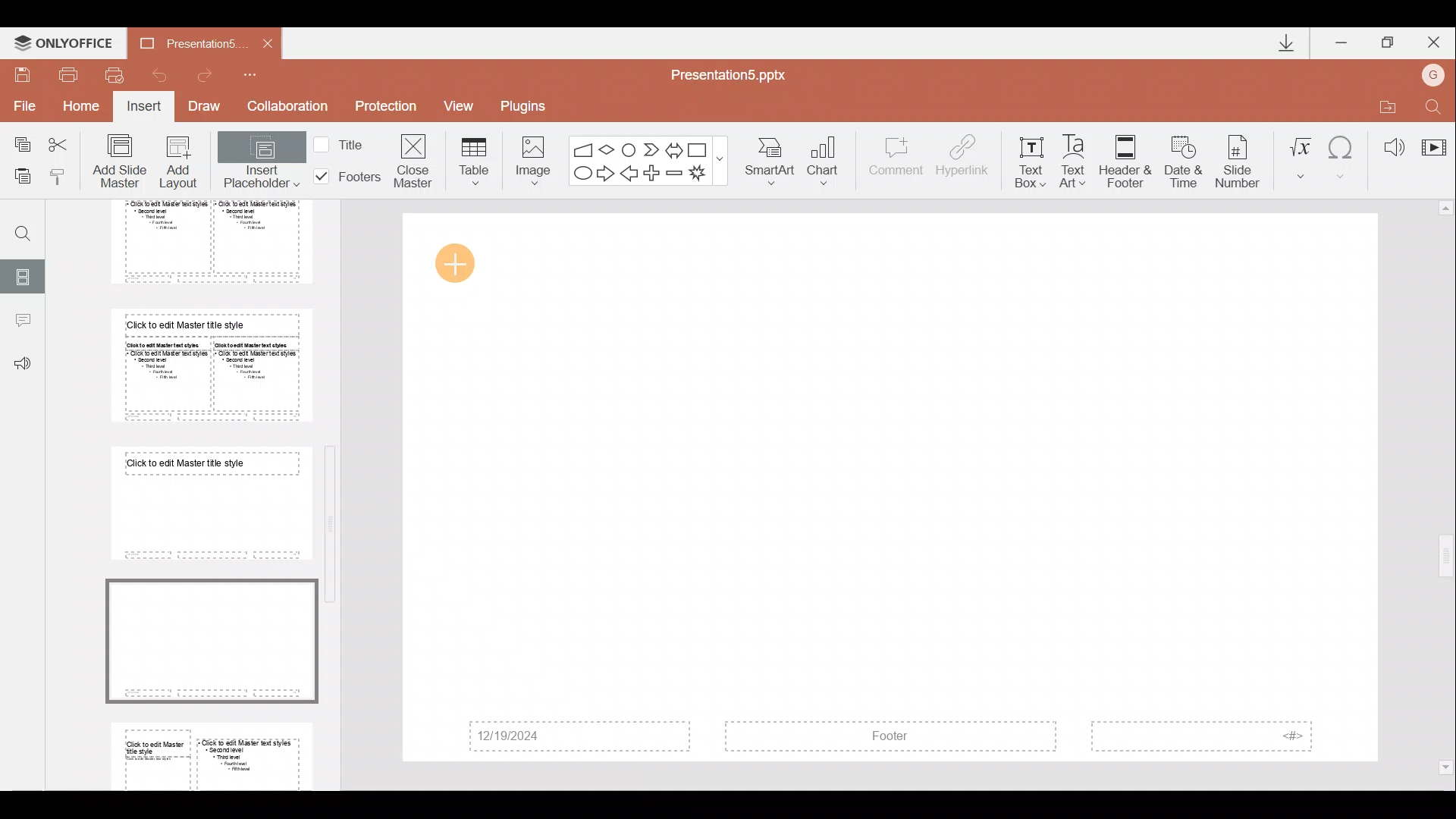  What do you see at coordinates (260, 163) in the screenshot?
I see `Insert placeholder` at bounding box center [260, 163].